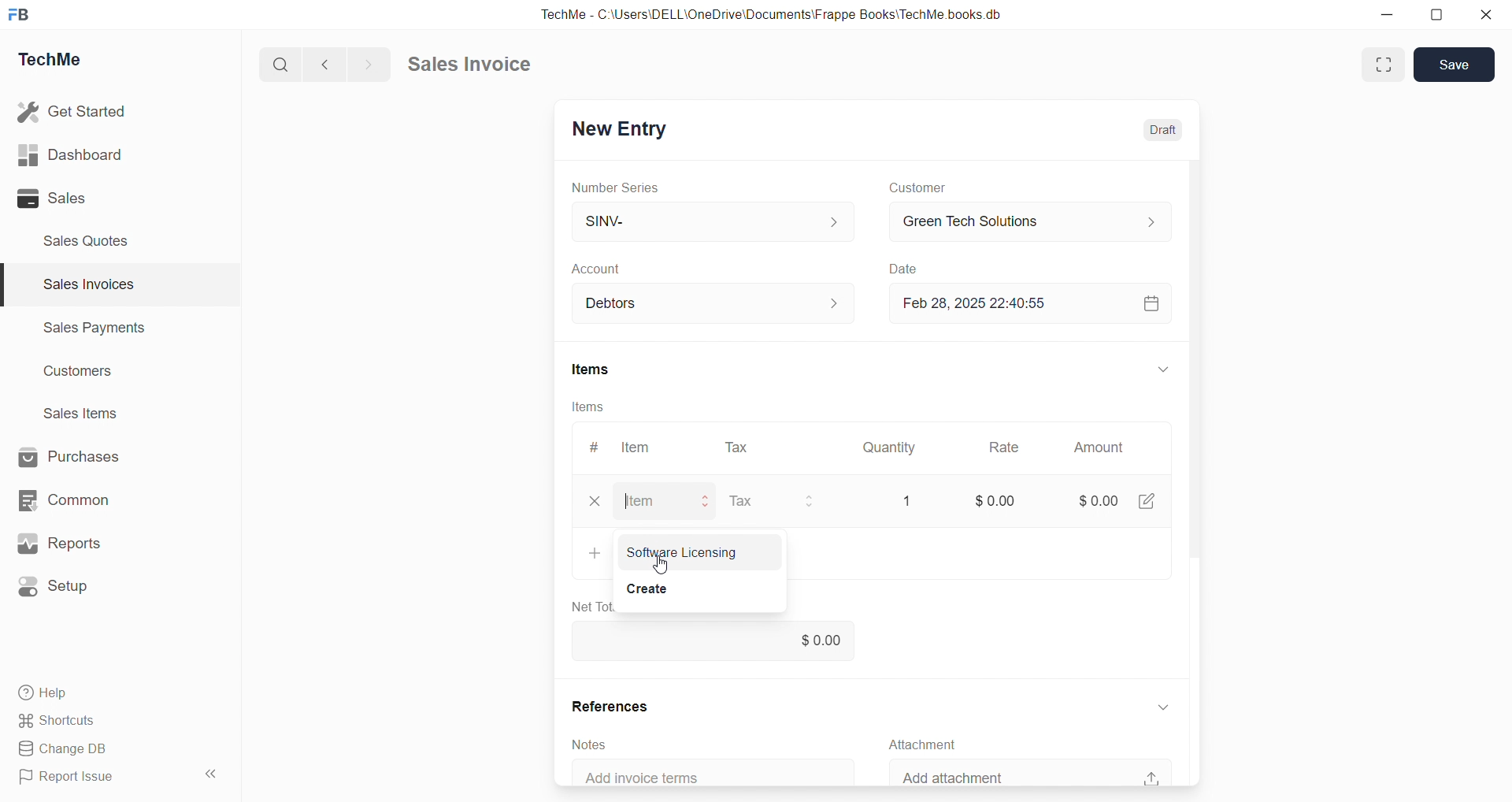  I want to click on resize, so click(1436, 16).